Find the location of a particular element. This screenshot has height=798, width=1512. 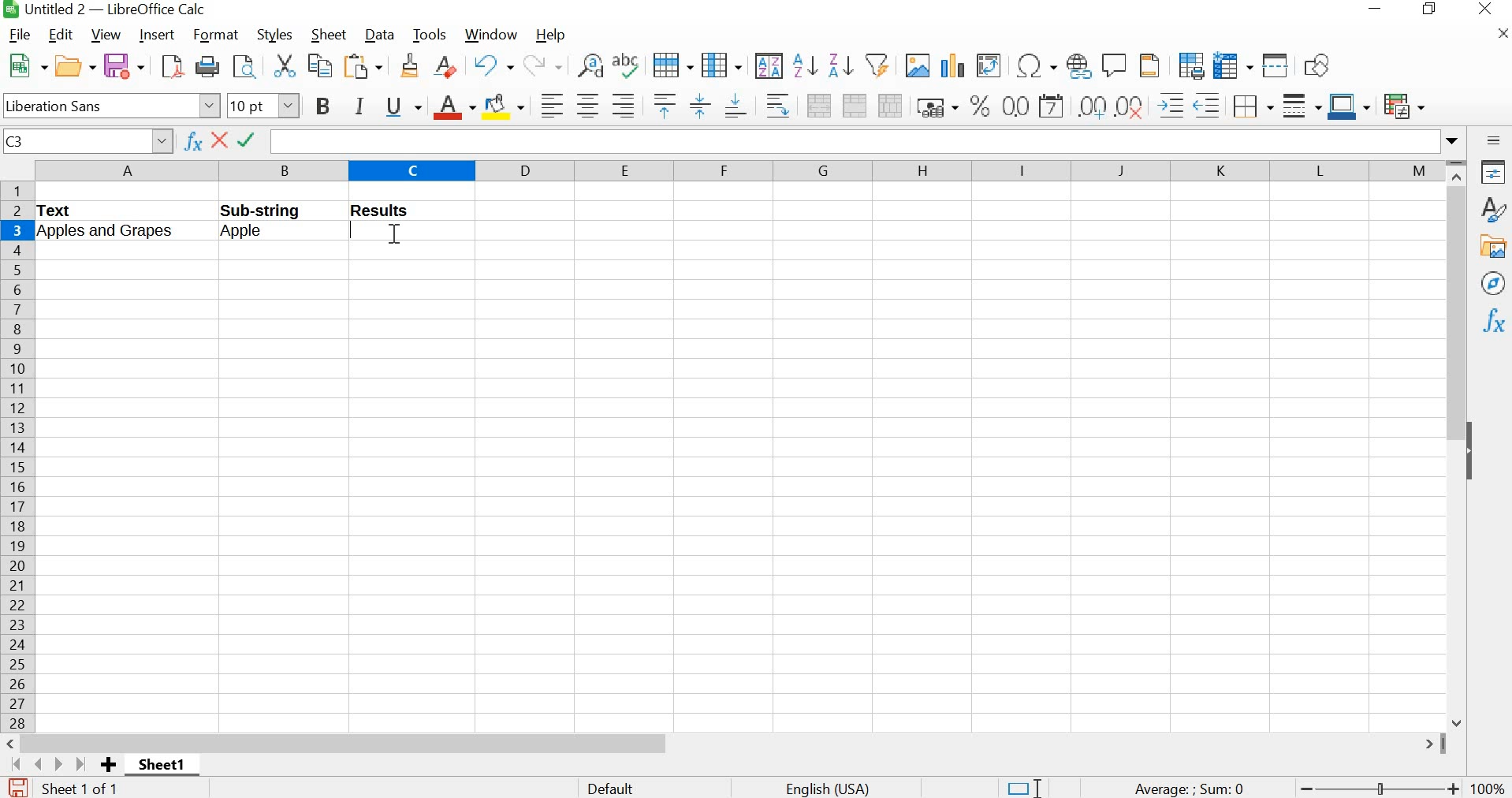

insert or edit pivot table is located at coordinates (991, 65).